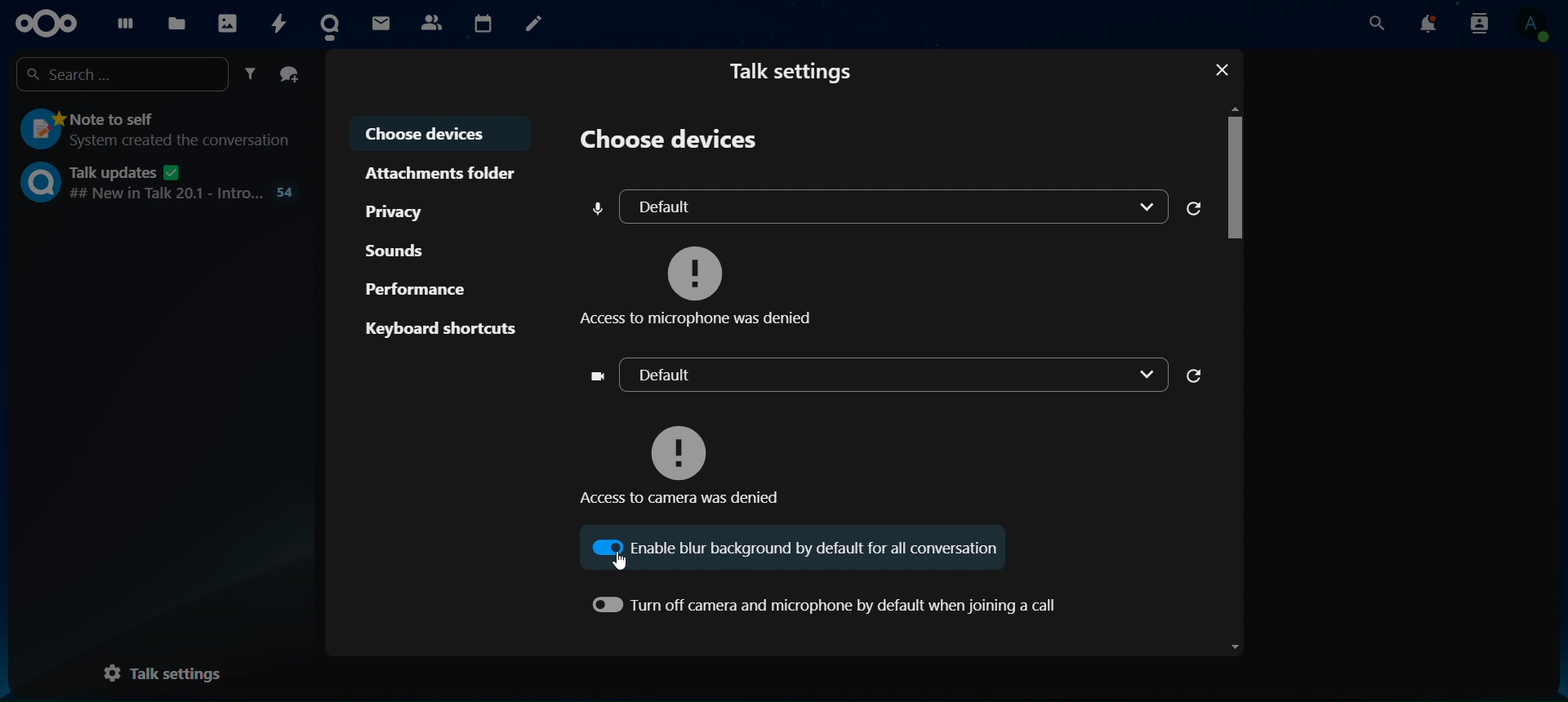 The height and width of the screenshot is (702, 1568). What do you see at coordinates (157, 131) in the screenshot?
I see `note to self` at bounding box center [157, 131].